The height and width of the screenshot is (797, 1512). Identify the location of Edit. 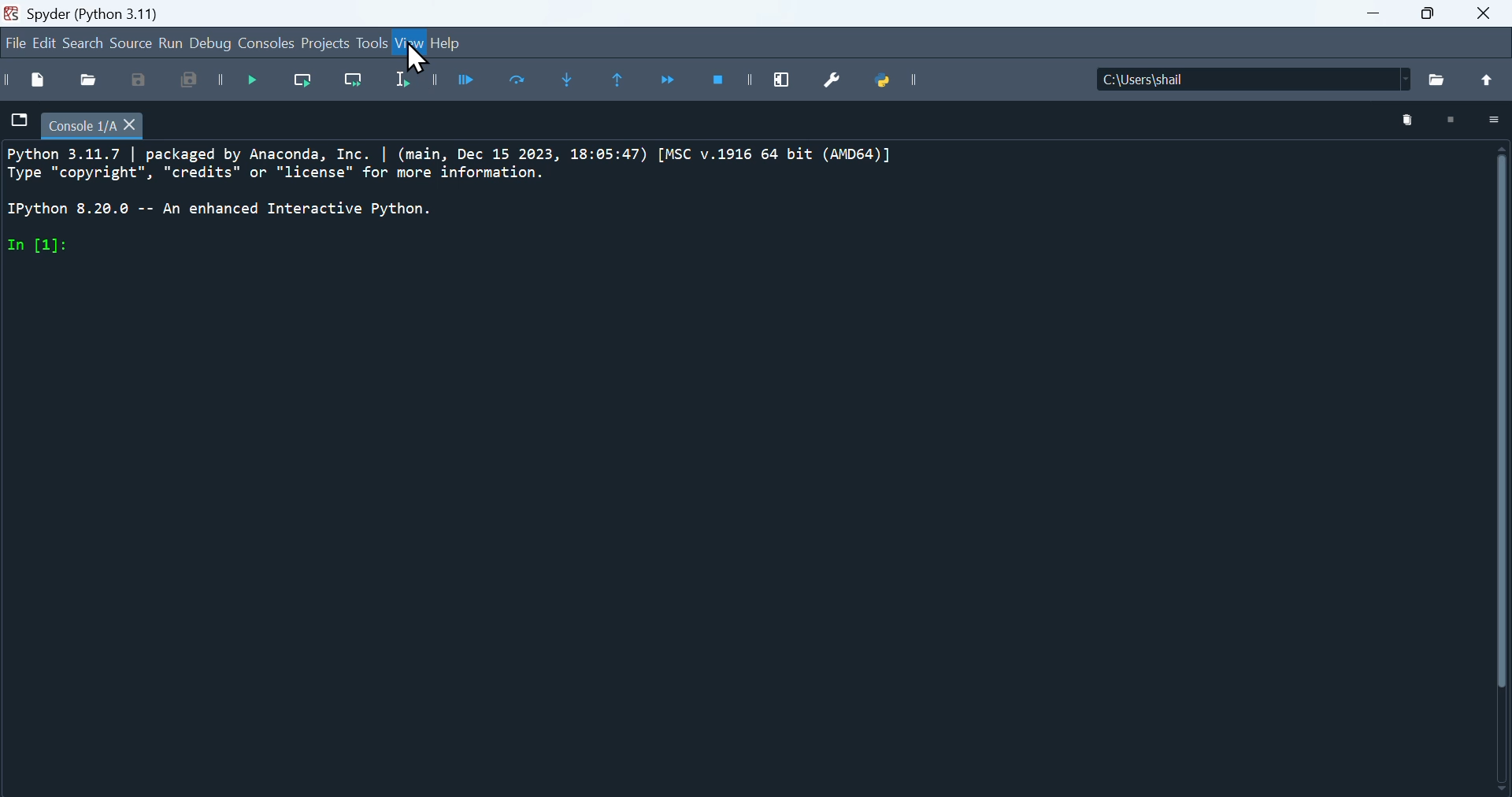
(46, 43).